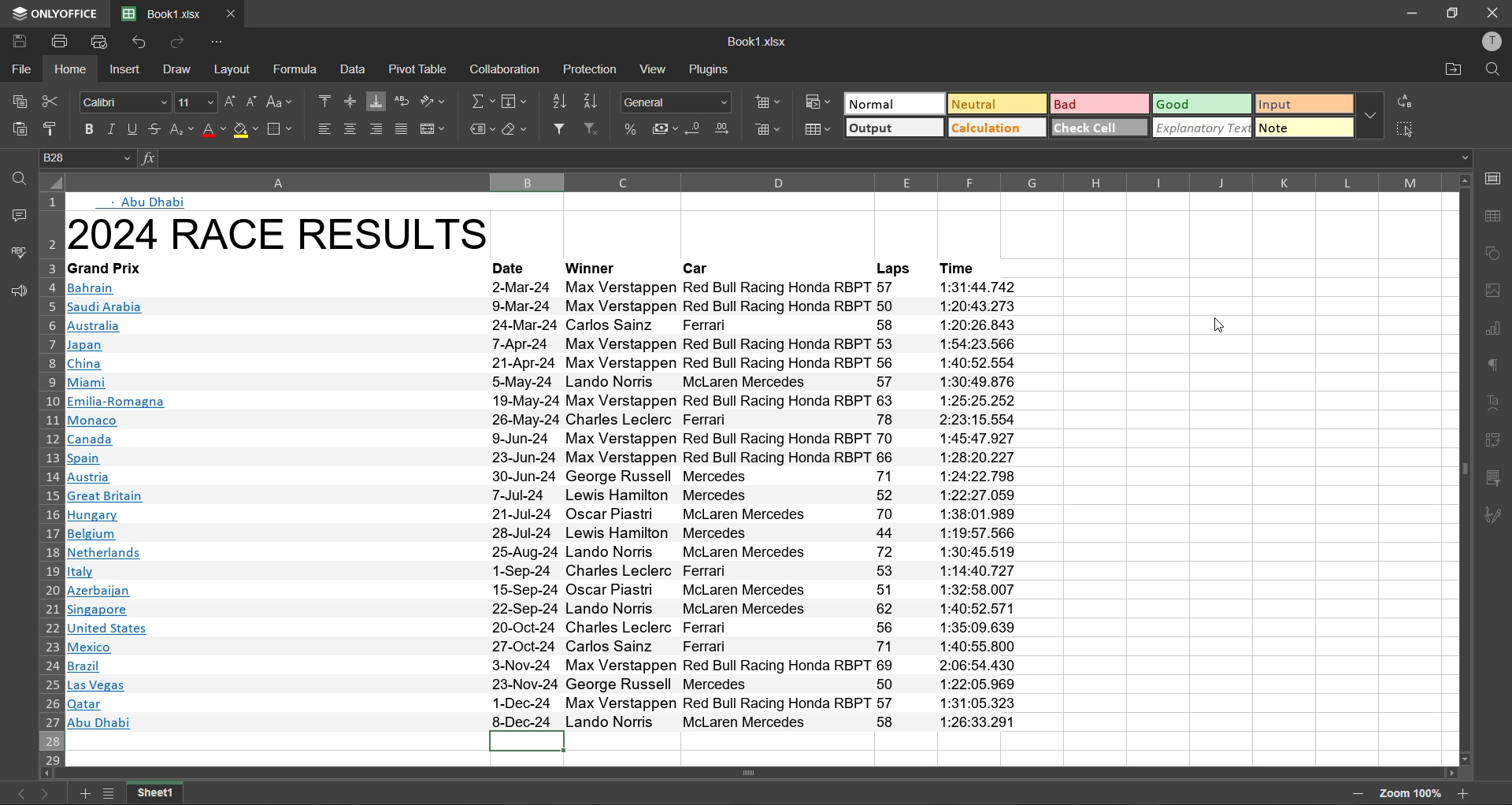 This screenshot has height=805, width=1512. Describe the element at coordinates (1451, 13) in the screenshot. I see `maximize` at that location.